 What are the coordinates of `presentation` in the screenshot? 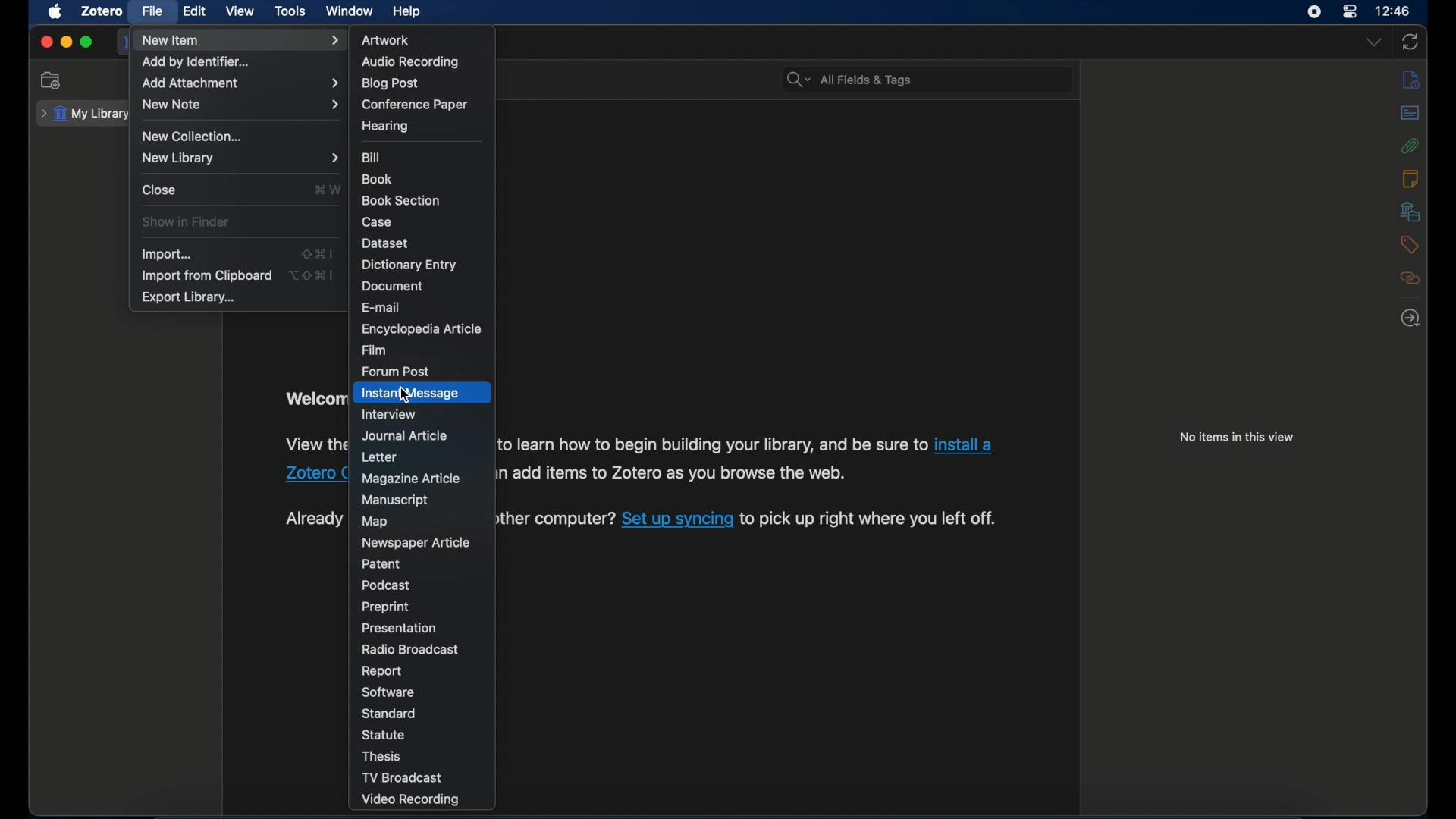 It's located at (400, 628).